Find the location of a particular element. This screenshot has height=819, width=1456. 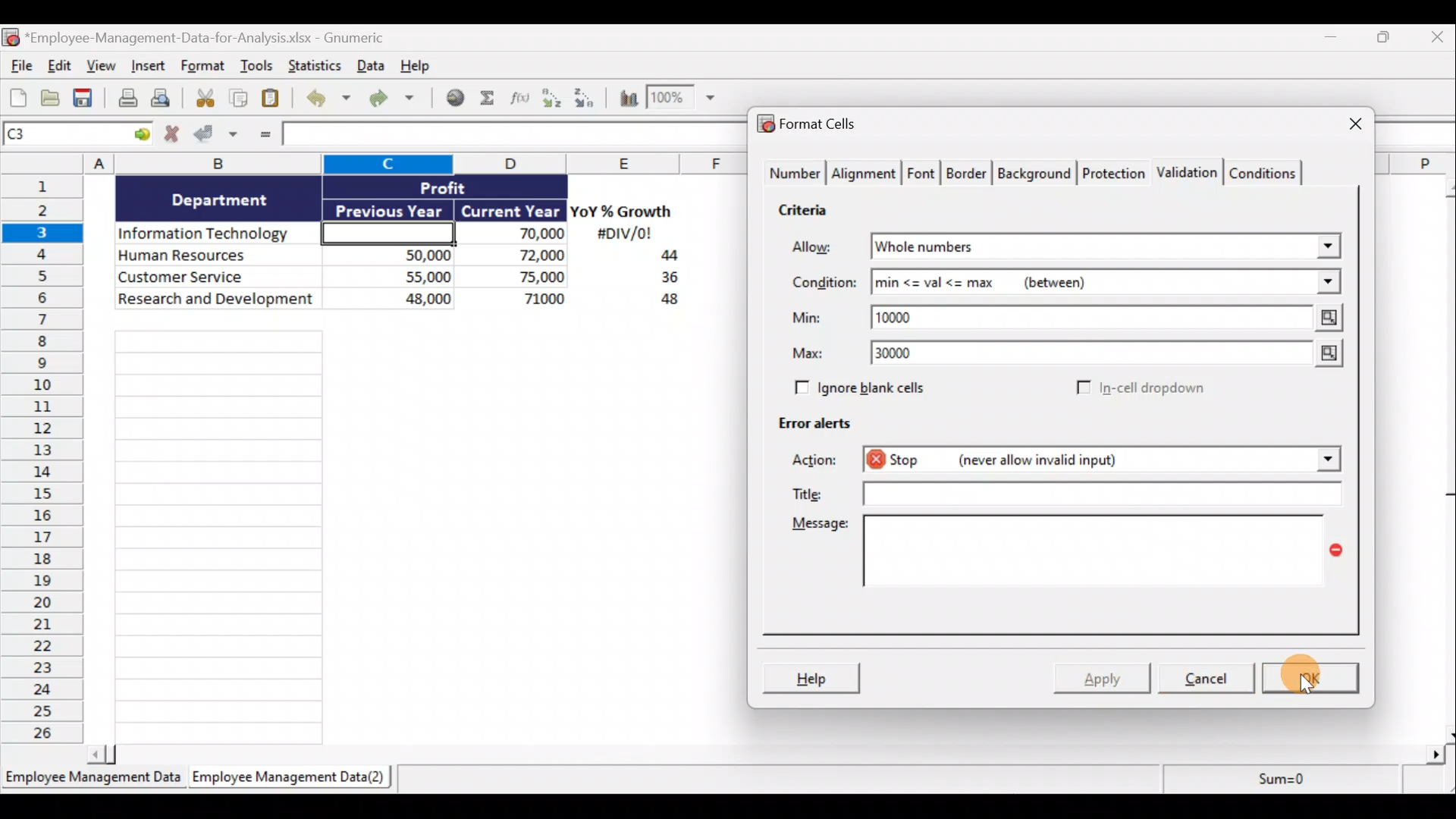

Sort ascending is located at coordinates (551, 98).